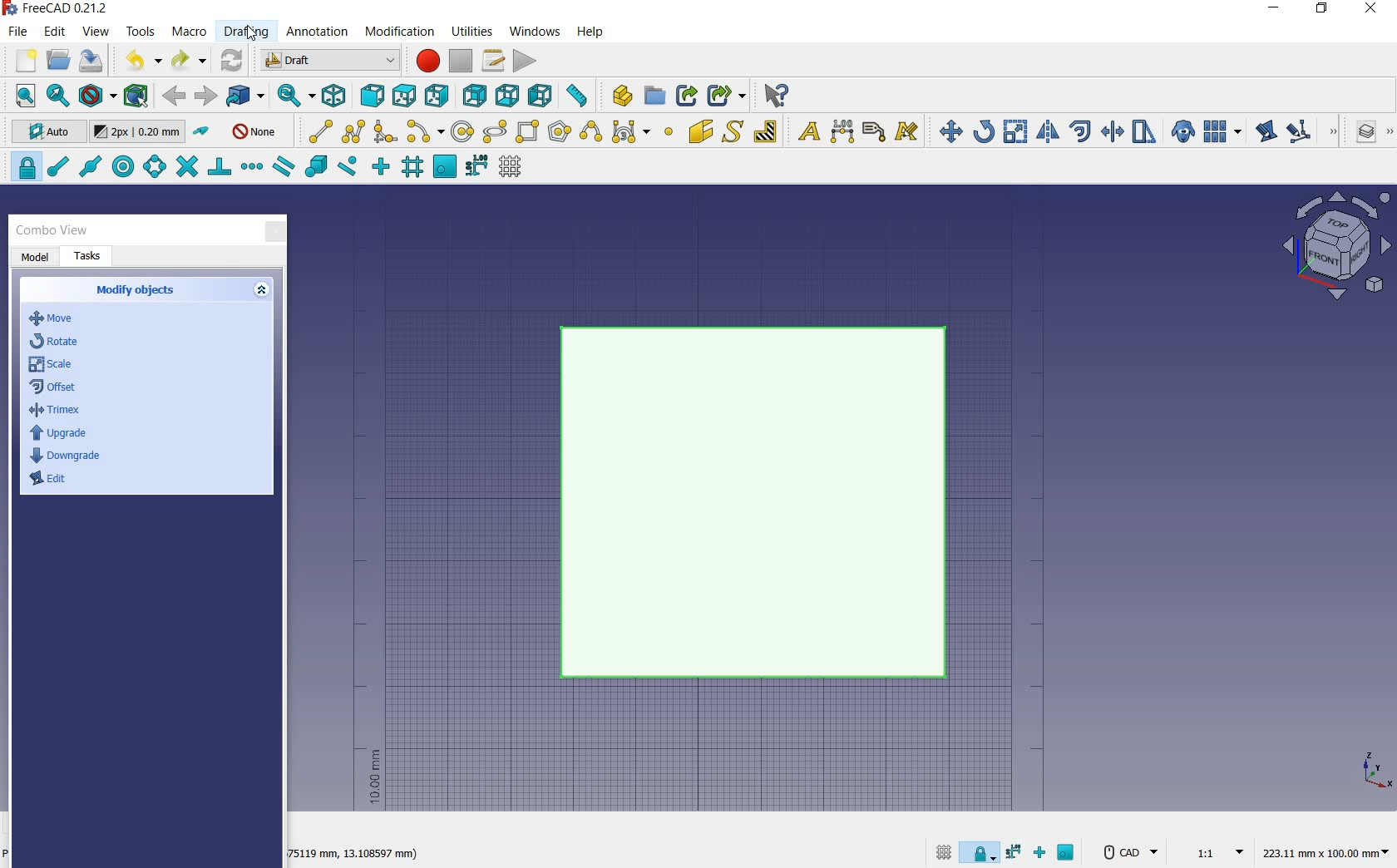 The image size is (1397, 868). What do you see at coordinates (185, 167) in the screenshot?
I see `snap intersection` at bounding box center [185, 167].